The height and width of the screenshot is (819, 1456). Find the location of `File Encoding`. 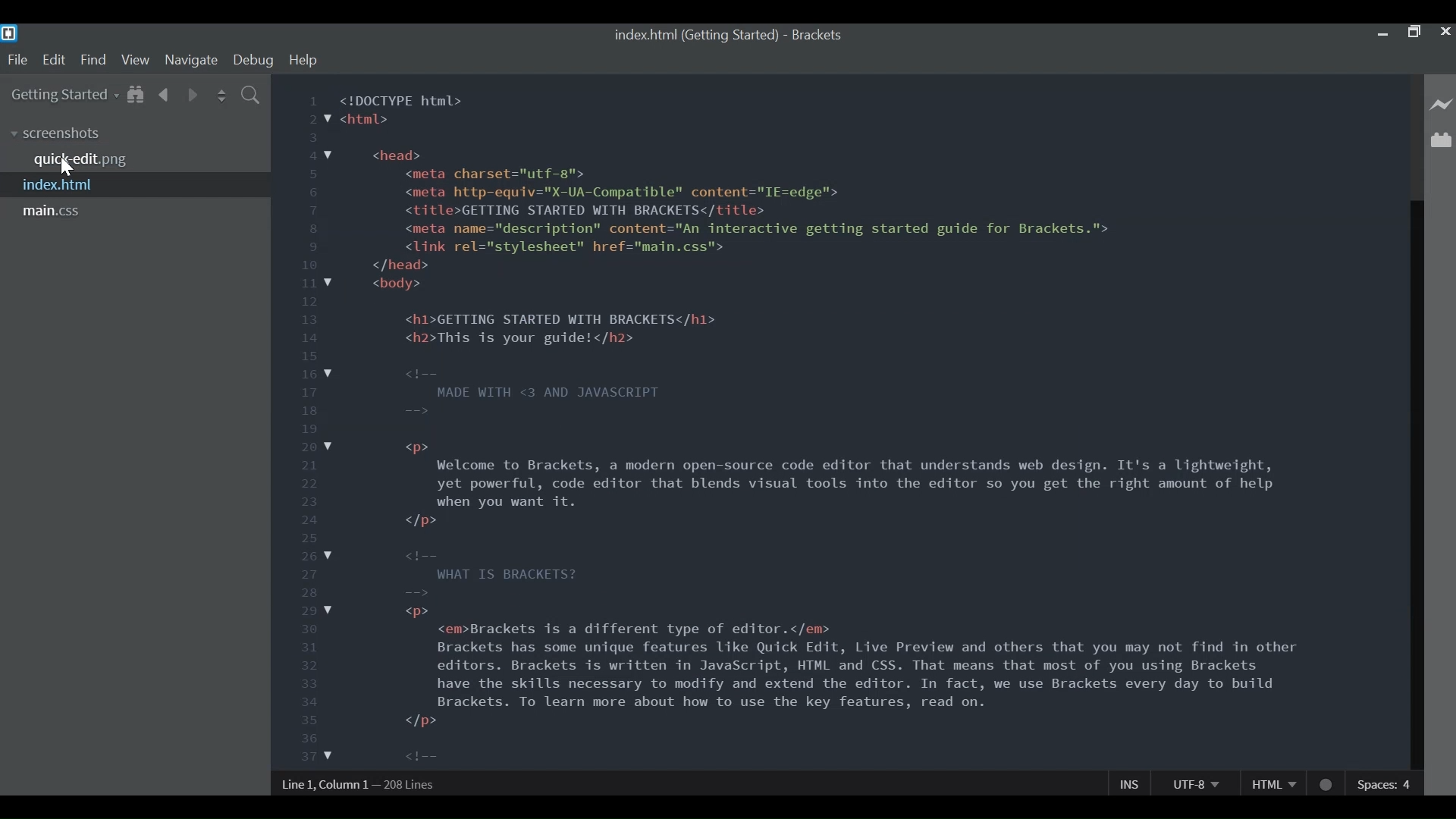

File Encoding is located at coordinates (1196, 785).